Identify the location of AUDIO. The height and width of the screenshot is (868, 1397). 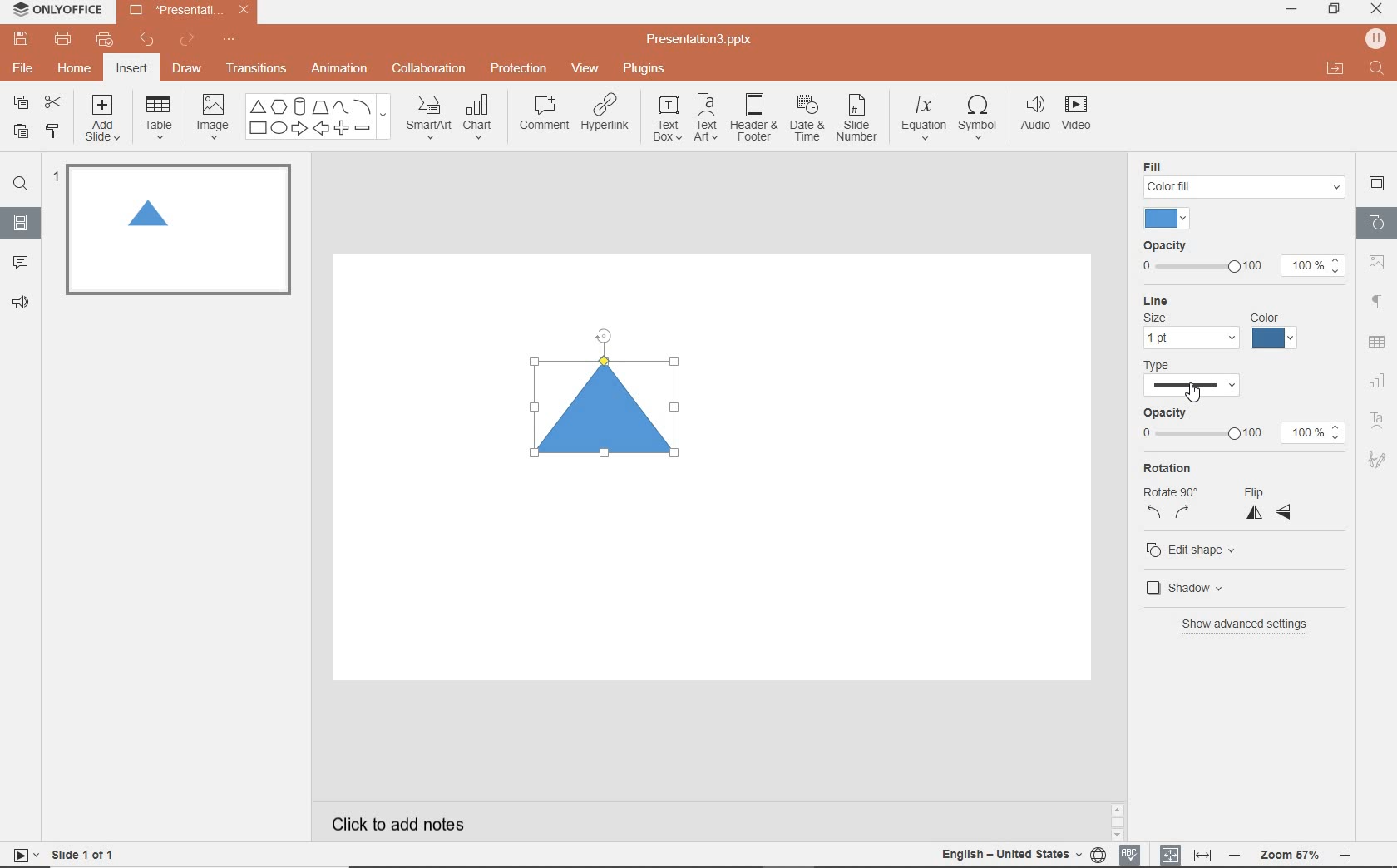
(1031, 115).